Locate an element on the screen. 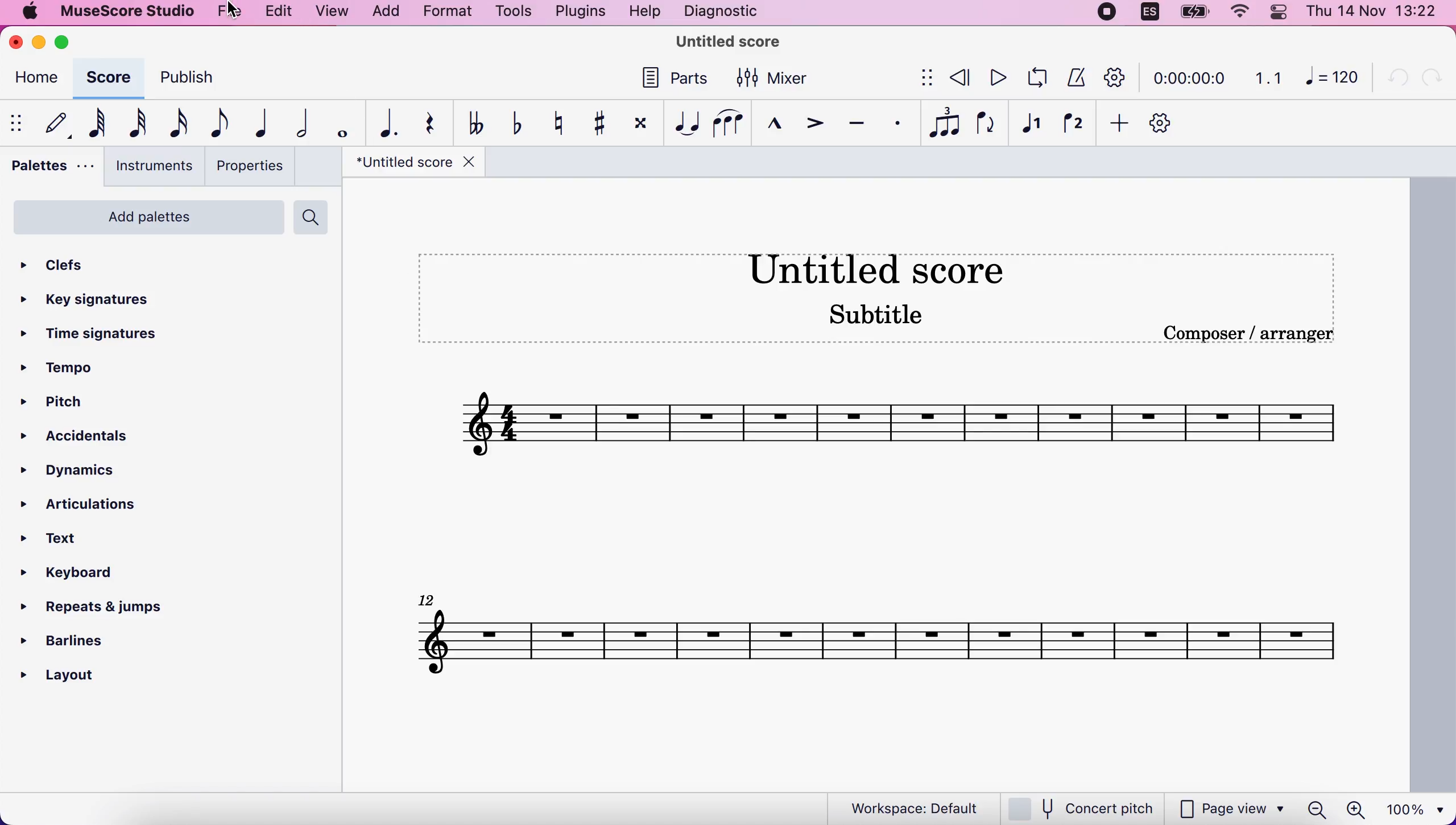  zoom in is located at coordinates (1359, 808).